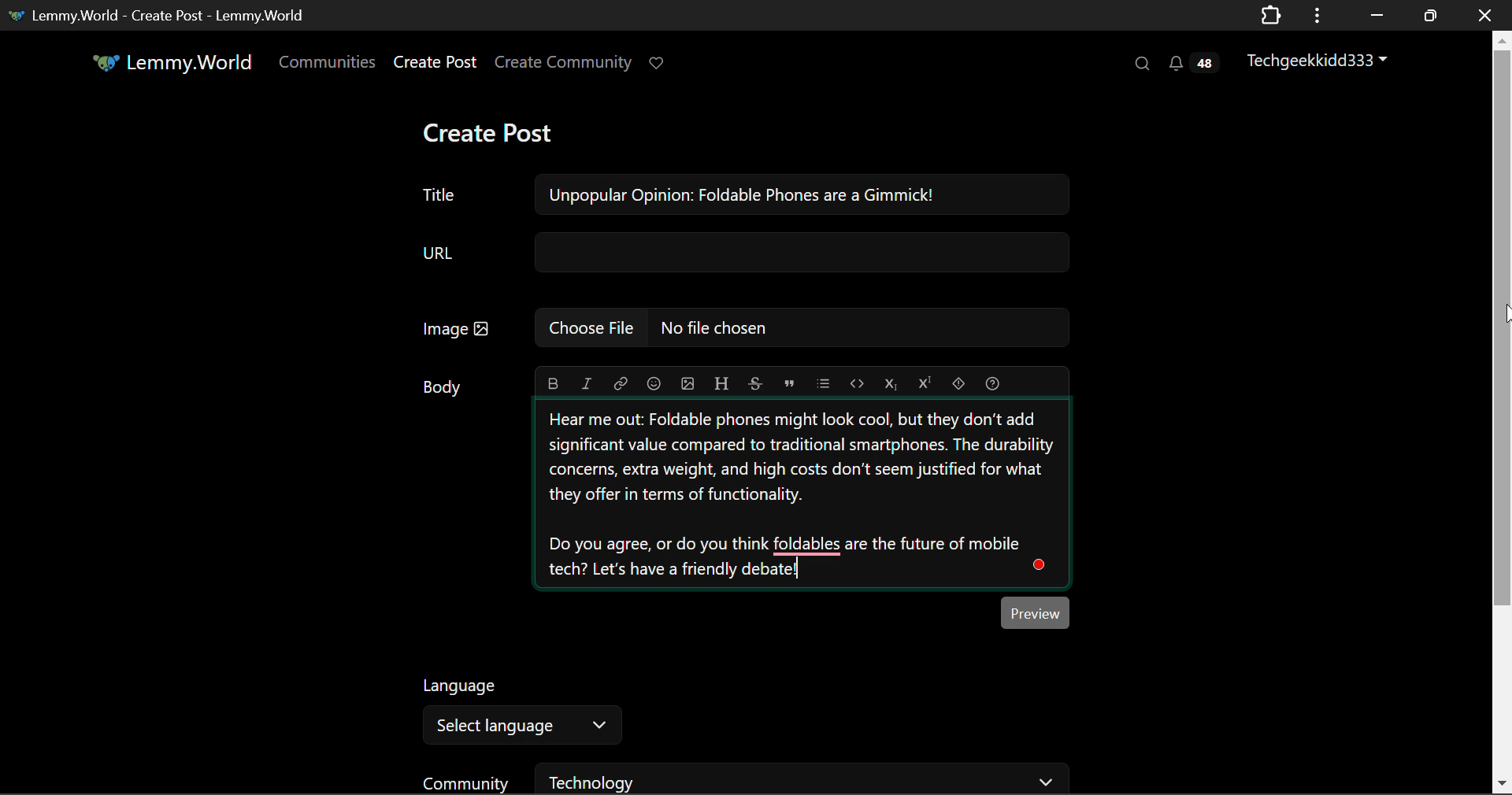  I want to click on Scroll Bar, so click(1503, 409).